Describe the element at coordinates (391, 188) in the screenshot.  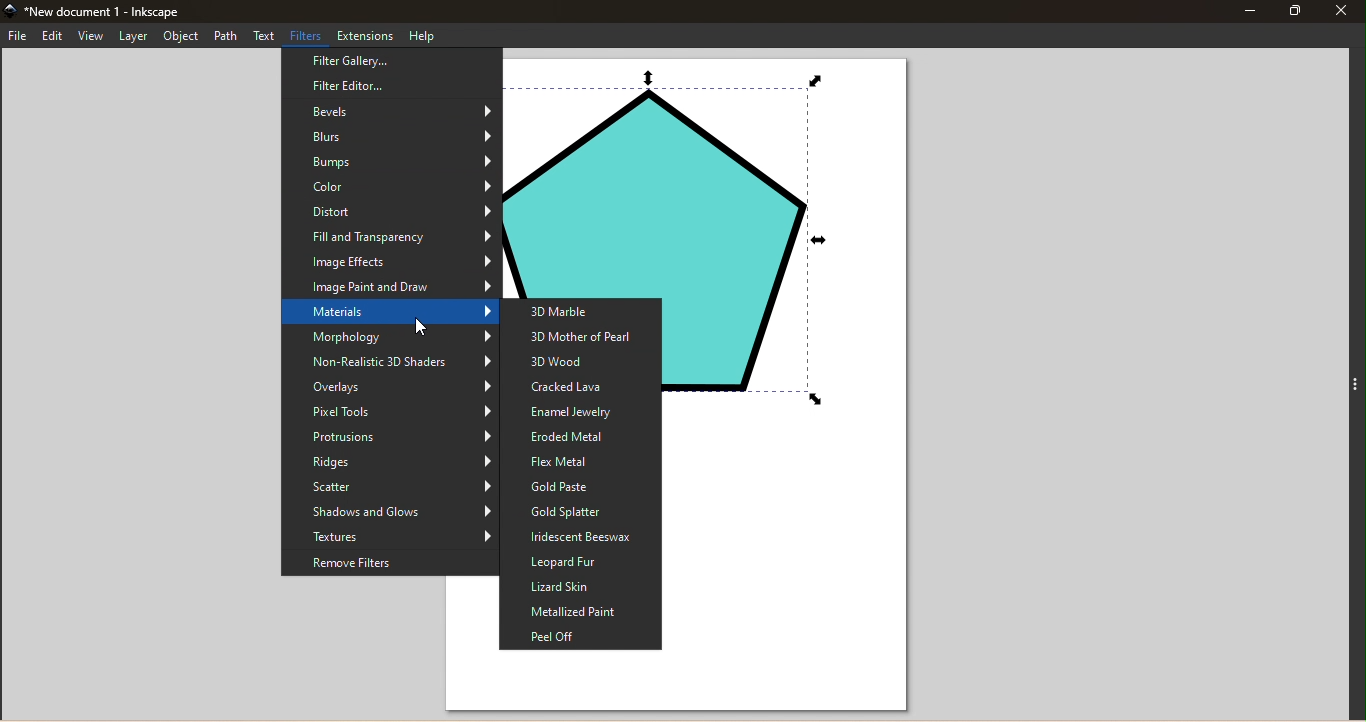
I see `Color` at that location.